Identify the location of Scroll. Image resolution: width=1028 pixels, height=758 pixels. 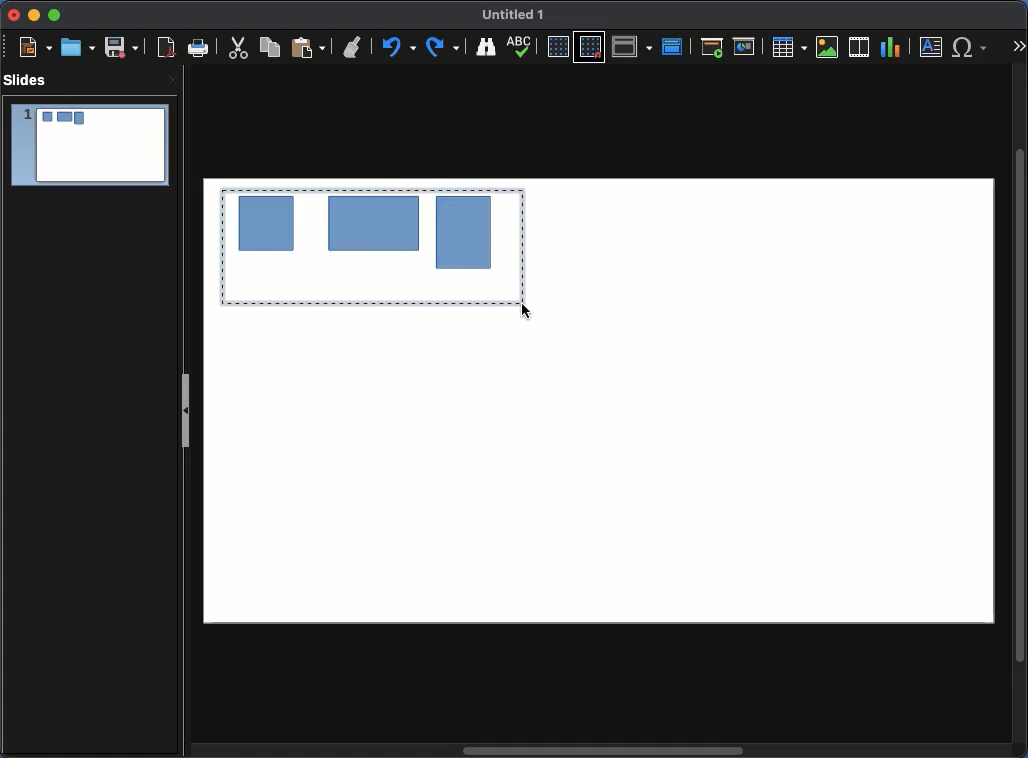
(1022, 404).